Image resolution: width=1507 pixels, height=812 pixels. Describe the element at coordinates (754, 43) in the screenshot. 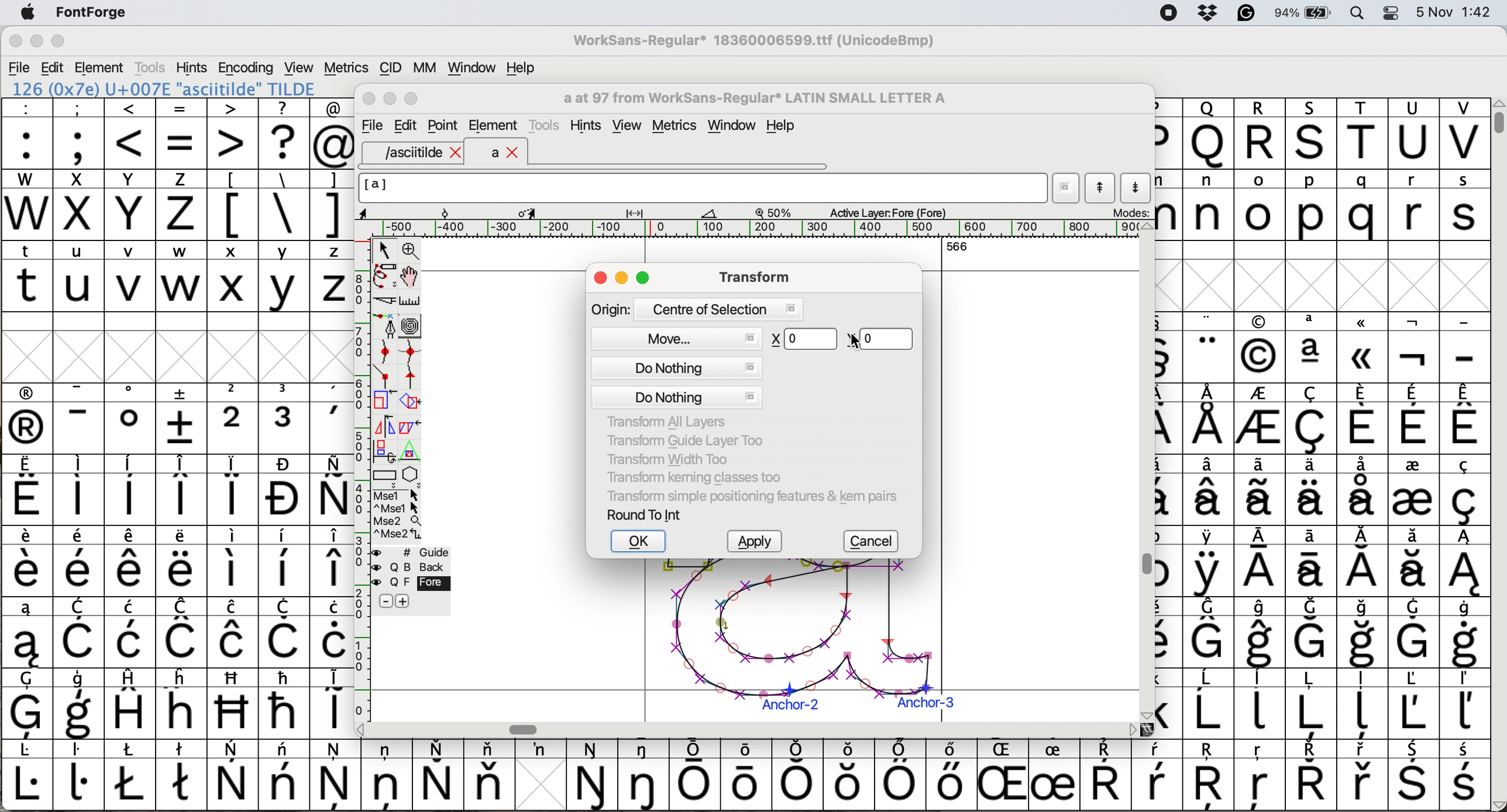

I see `WorkSans-Regular 18360006599.ttf (UnicodeBmp)` at that location.